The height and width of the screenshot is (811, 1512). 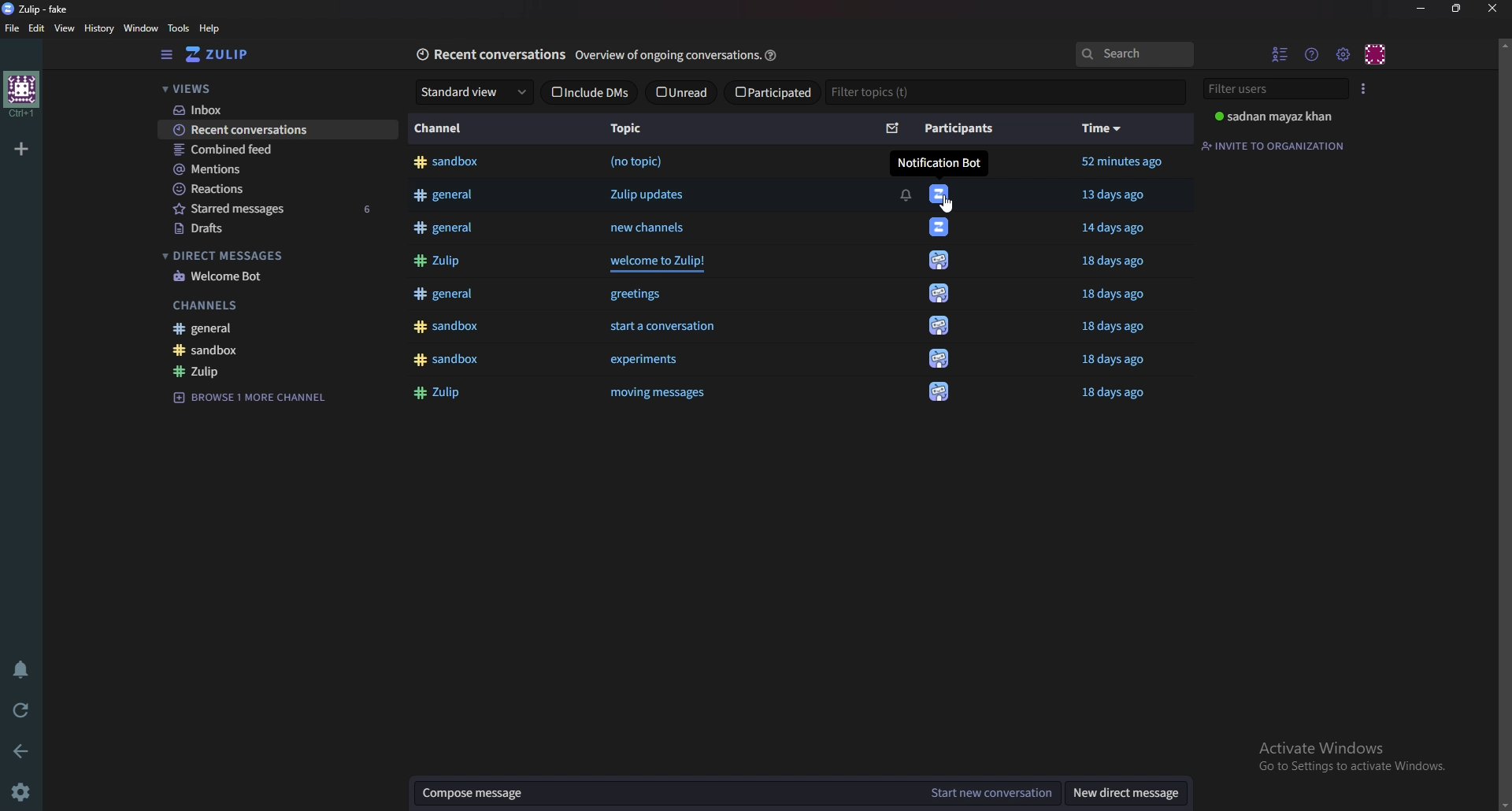 I want to click on Time, so click(x=1102, y=128).